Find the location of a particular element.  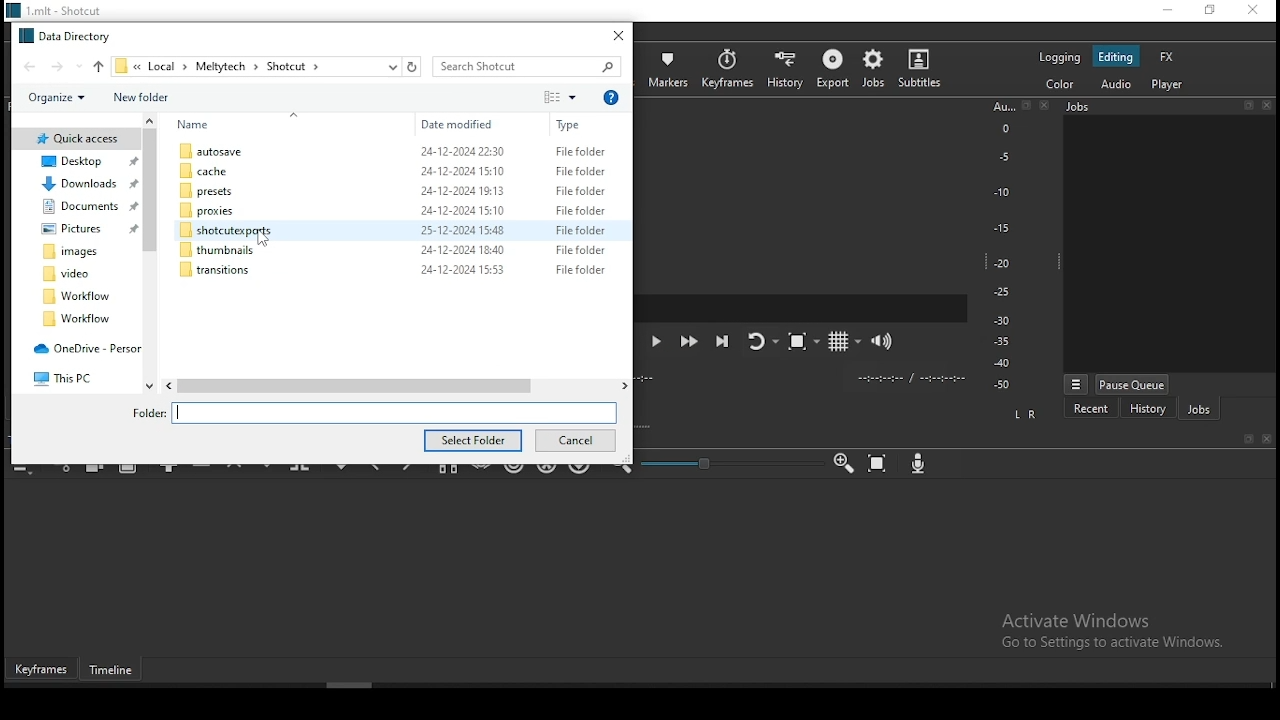

minimize is located at coordinates (1163, 10).